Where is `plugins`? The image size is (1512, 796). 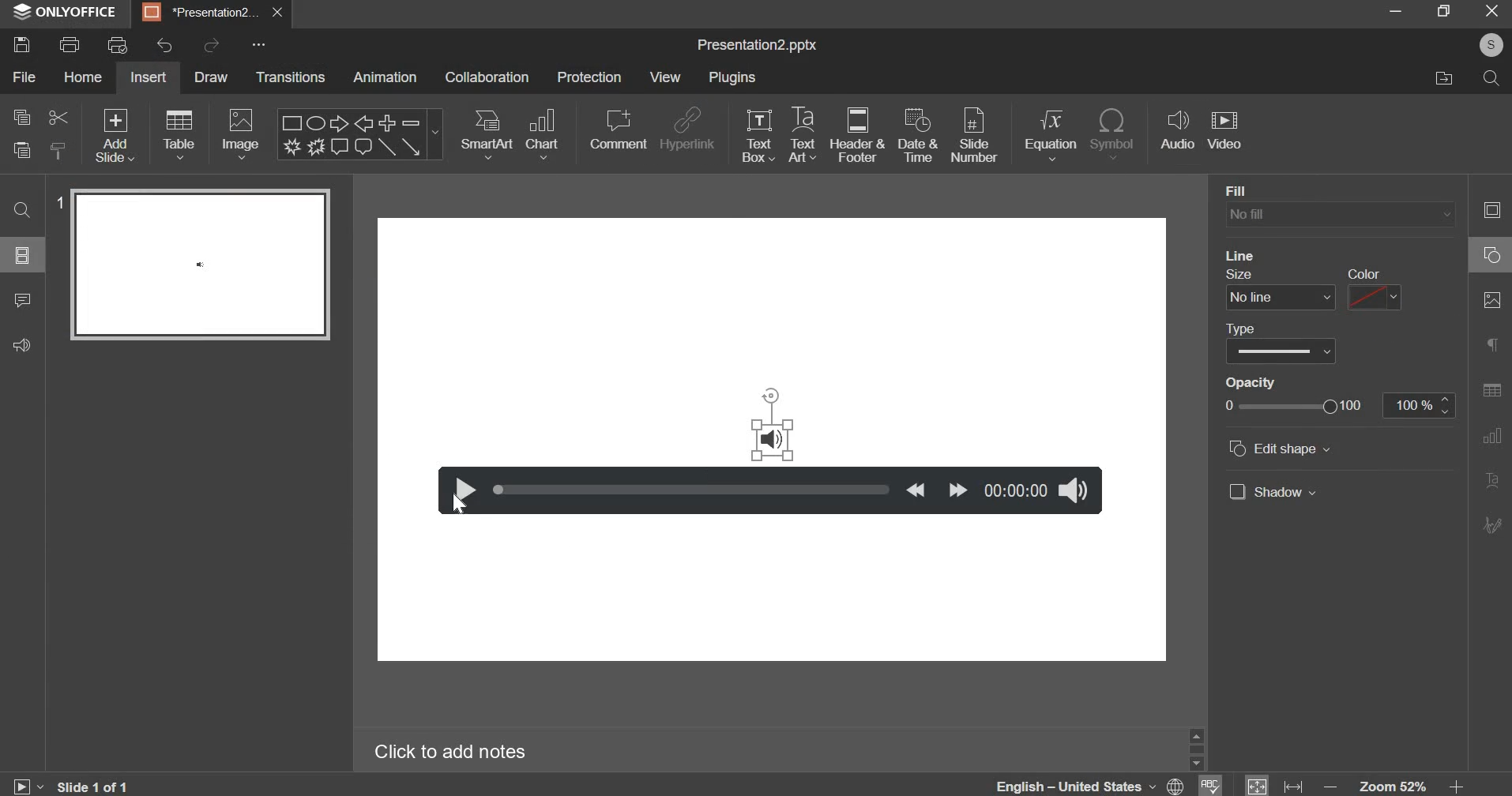
plugins is located at coordinates (735, 78).